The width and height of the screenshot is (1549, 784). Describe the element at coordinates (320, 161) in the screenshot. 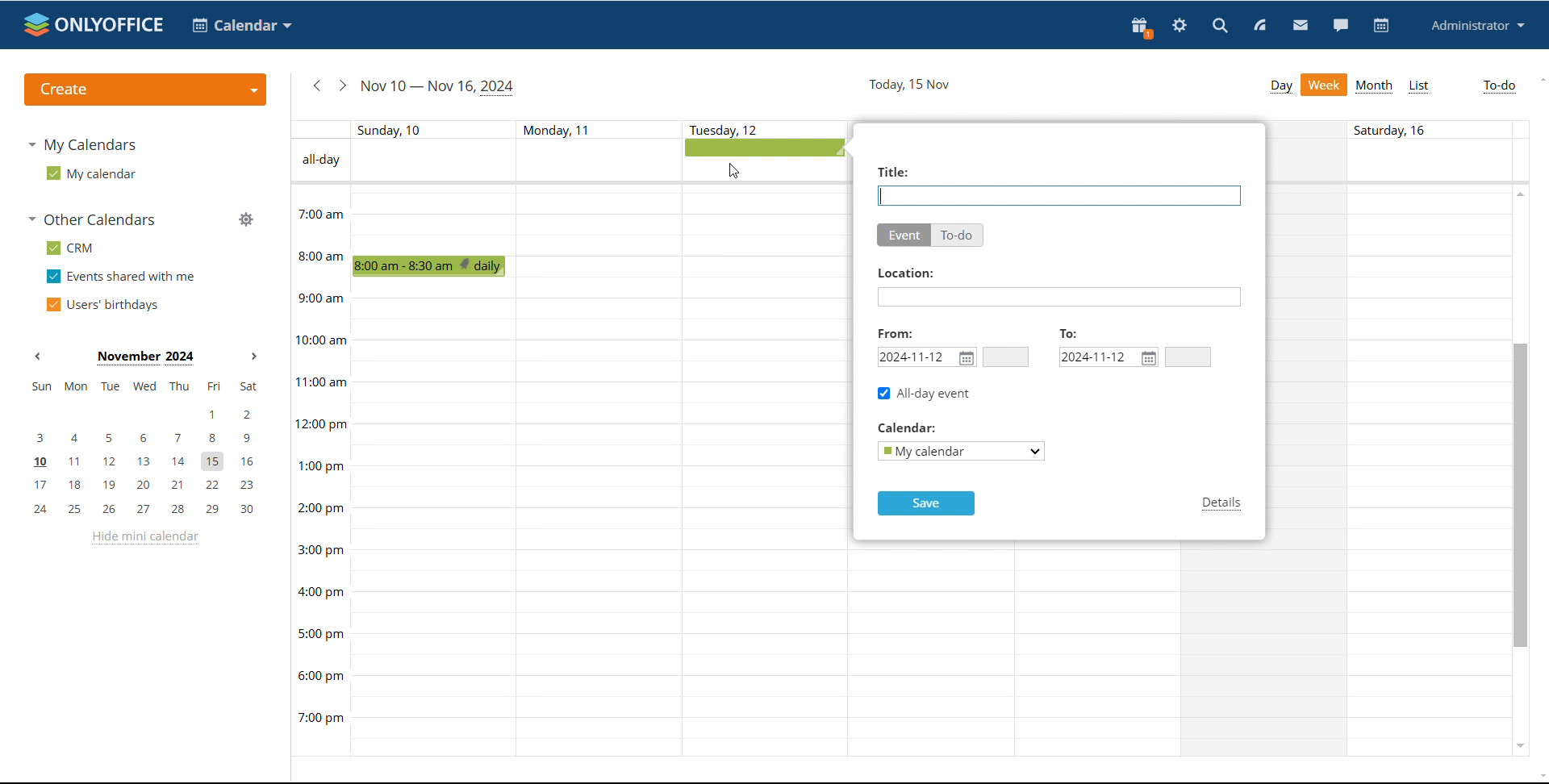

I see `text` at that location.